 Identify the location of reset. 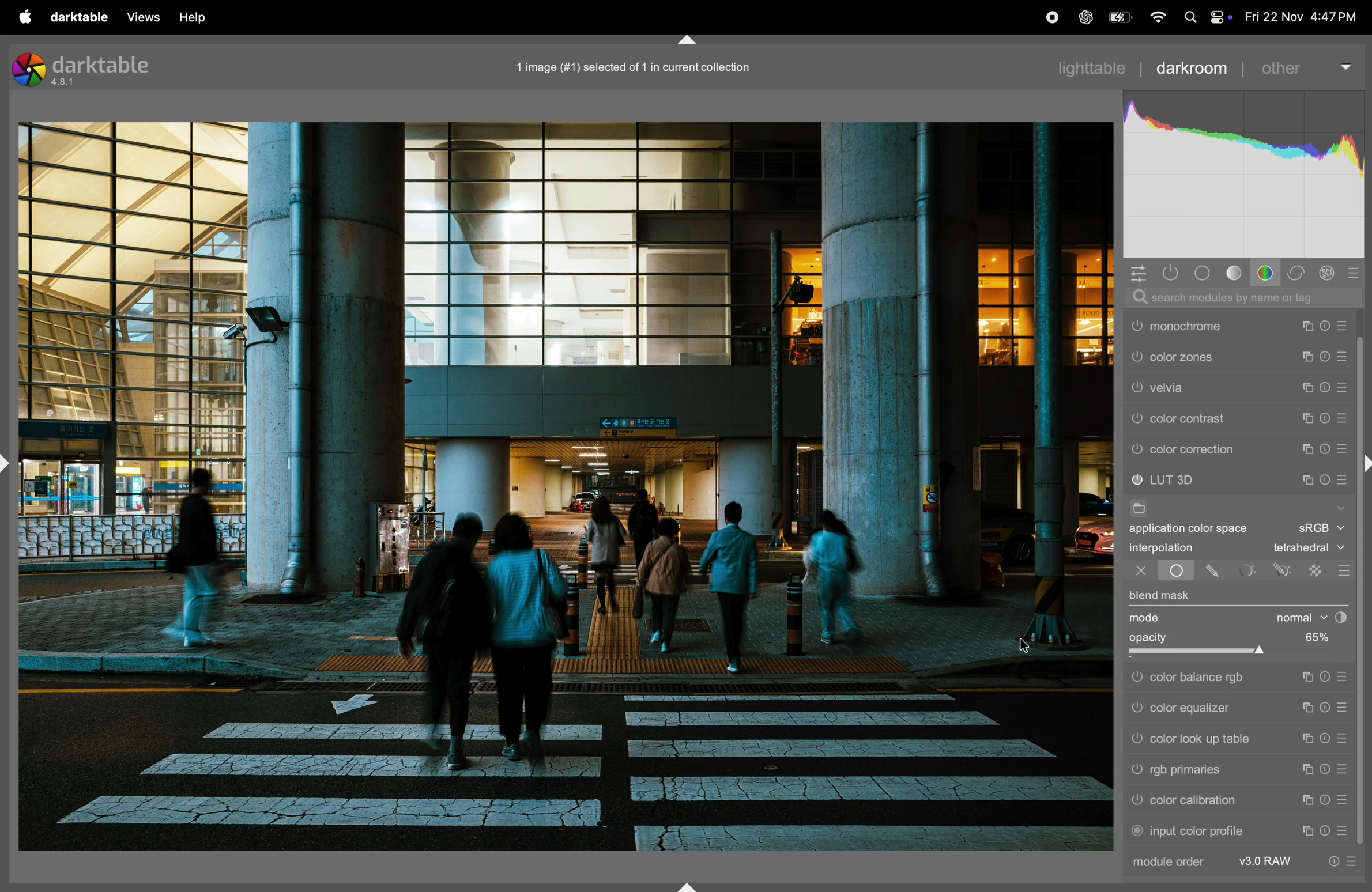
(1325, 384).